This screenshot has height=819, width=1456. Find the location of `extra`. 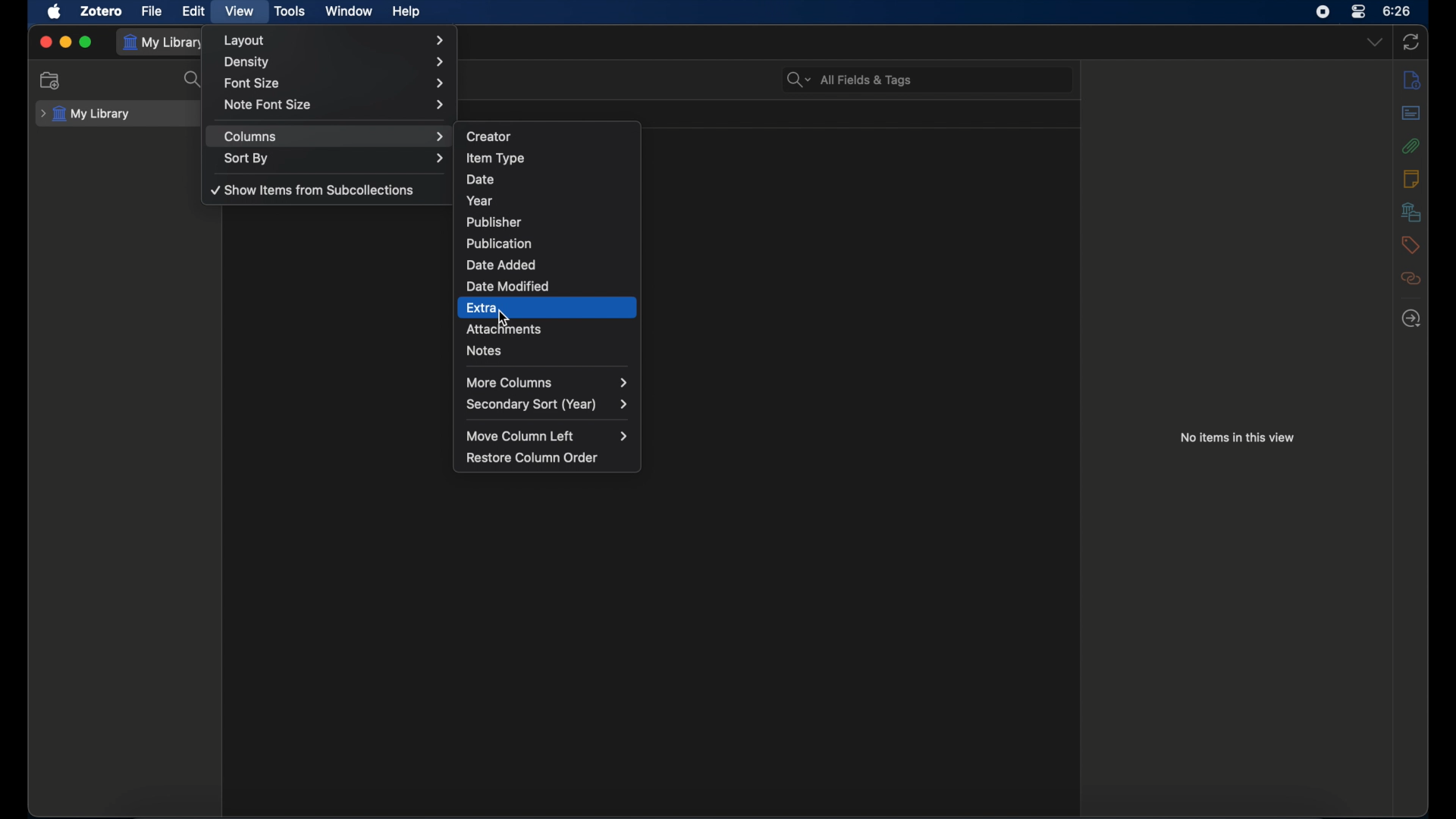

extra is located at coordinates (543, 309).